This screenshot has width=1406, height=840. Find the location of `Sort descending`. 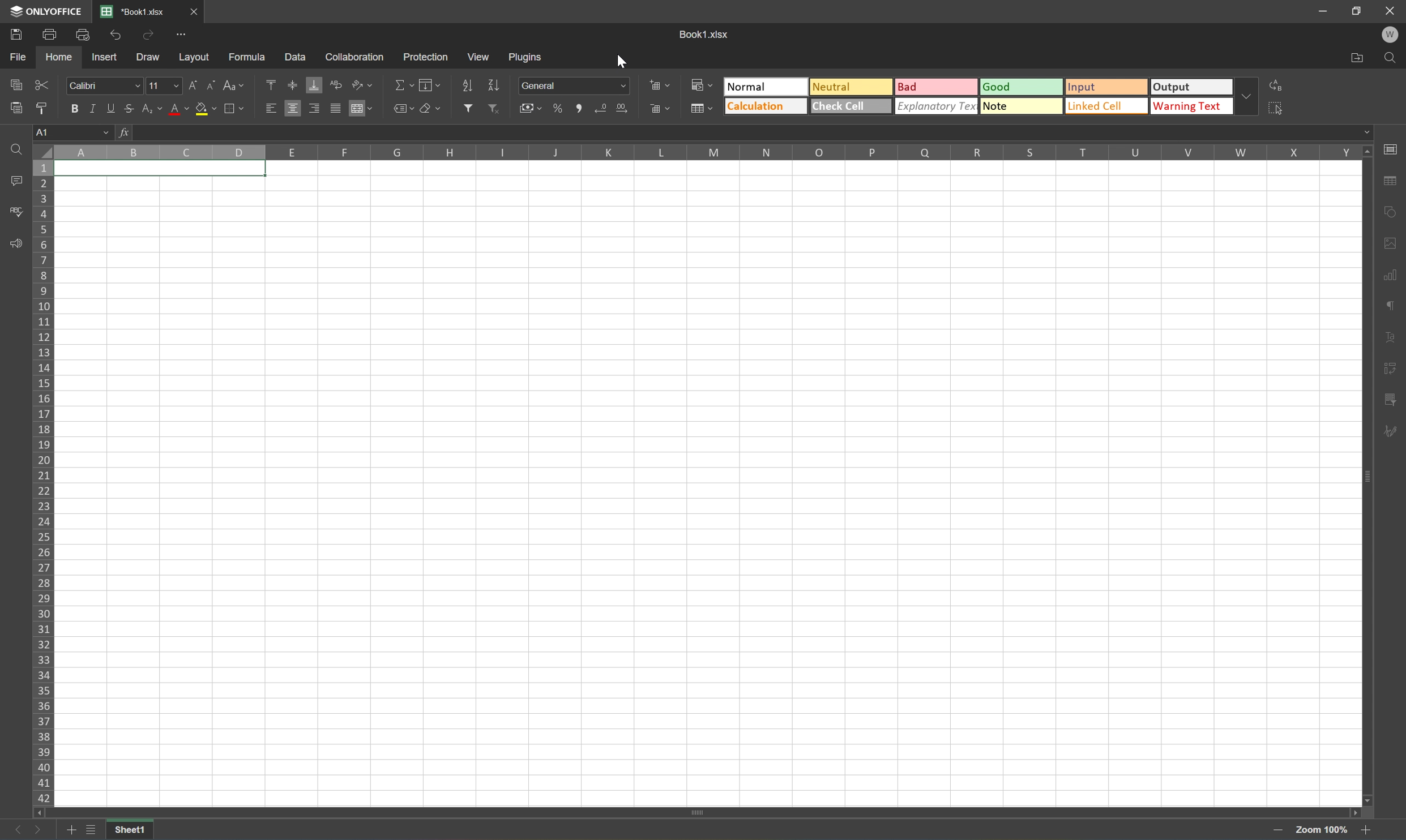

Sort descending is located at coordinates (493, 84).